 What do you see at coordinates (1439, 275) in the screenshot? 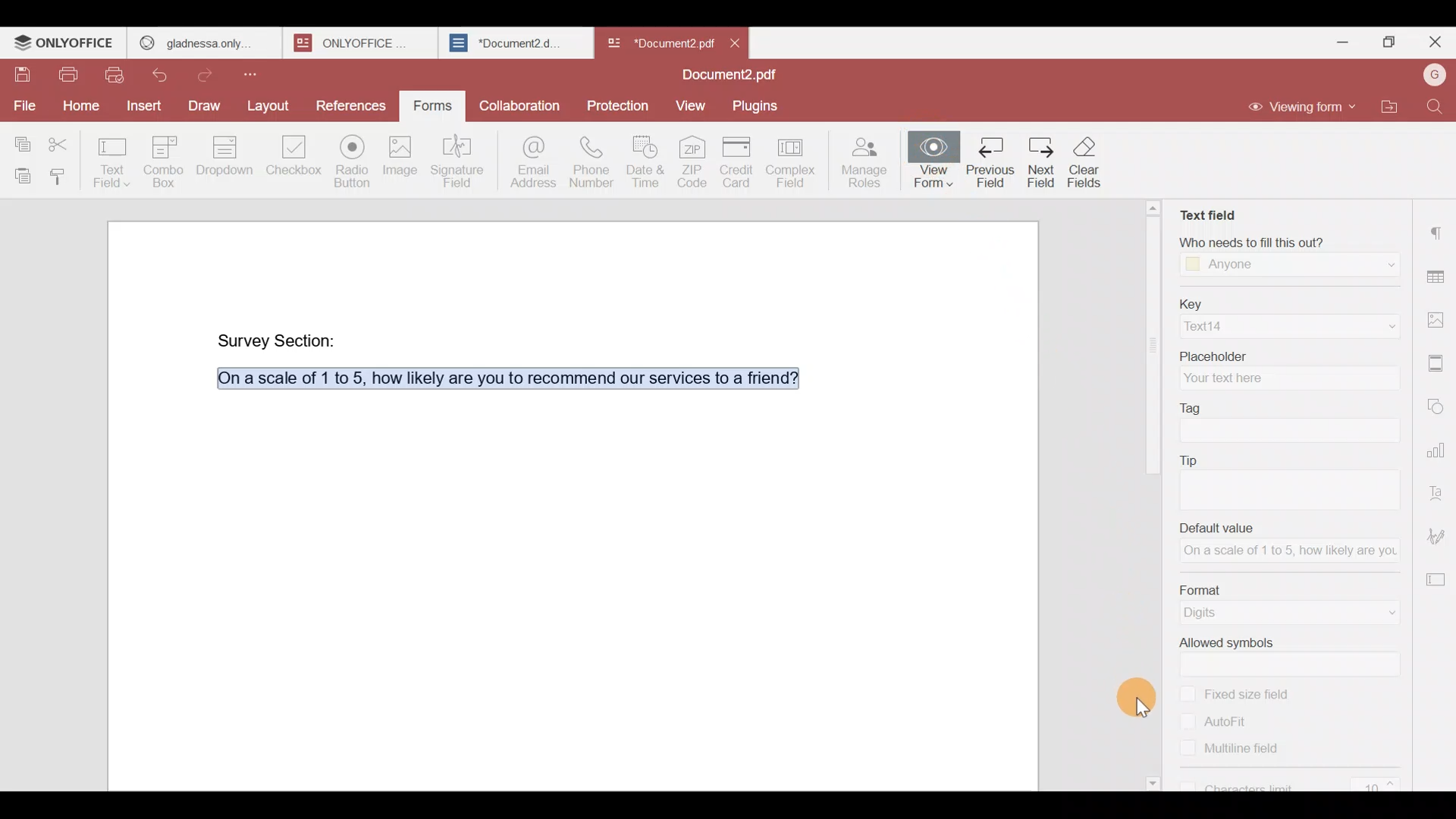
I see `Table settings` at bounding box center [1439, 275].